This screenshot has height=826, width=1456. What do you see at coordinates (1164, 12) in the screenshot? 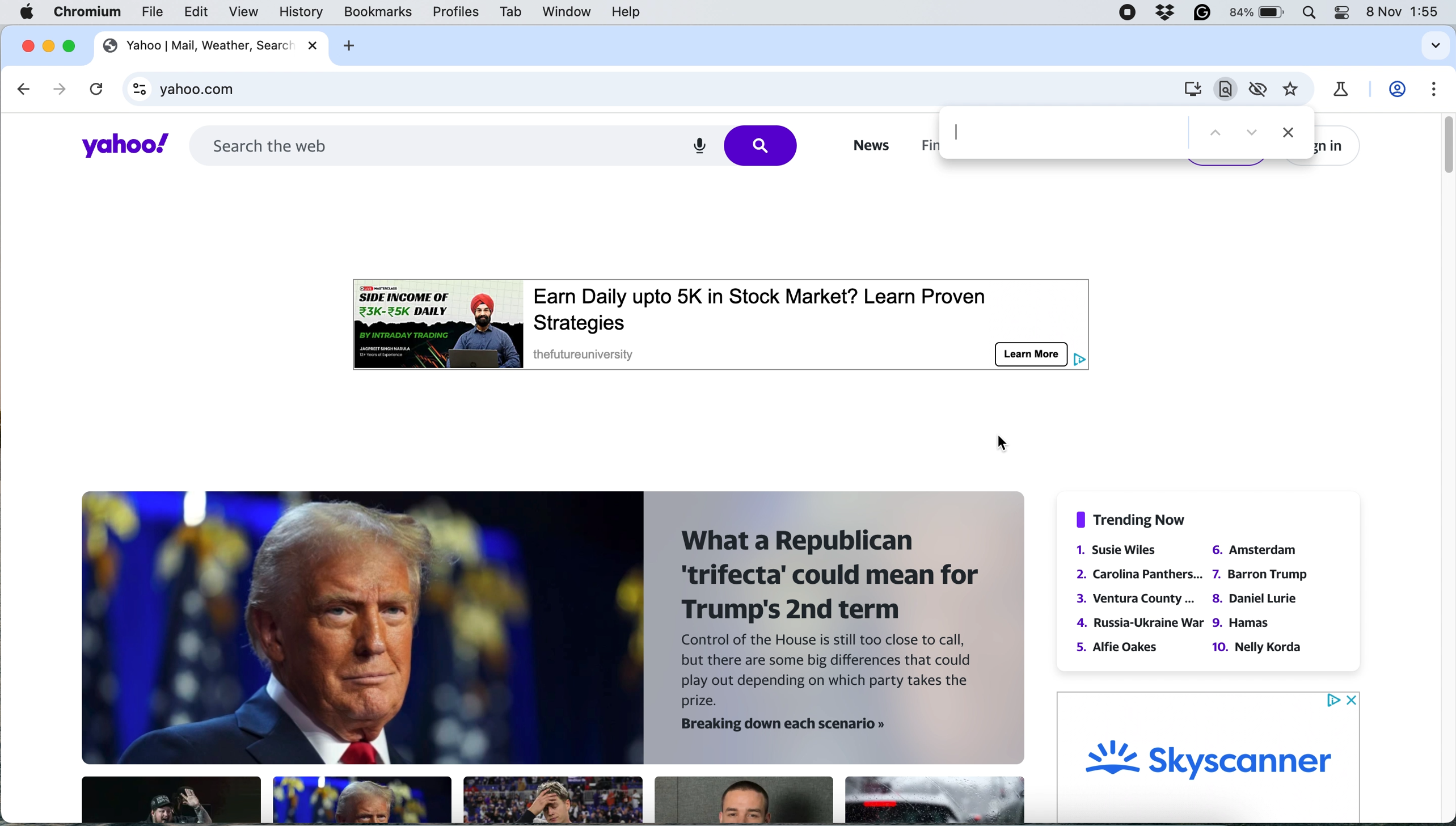
I see `dropbox` at bounding box center [1164, 12].